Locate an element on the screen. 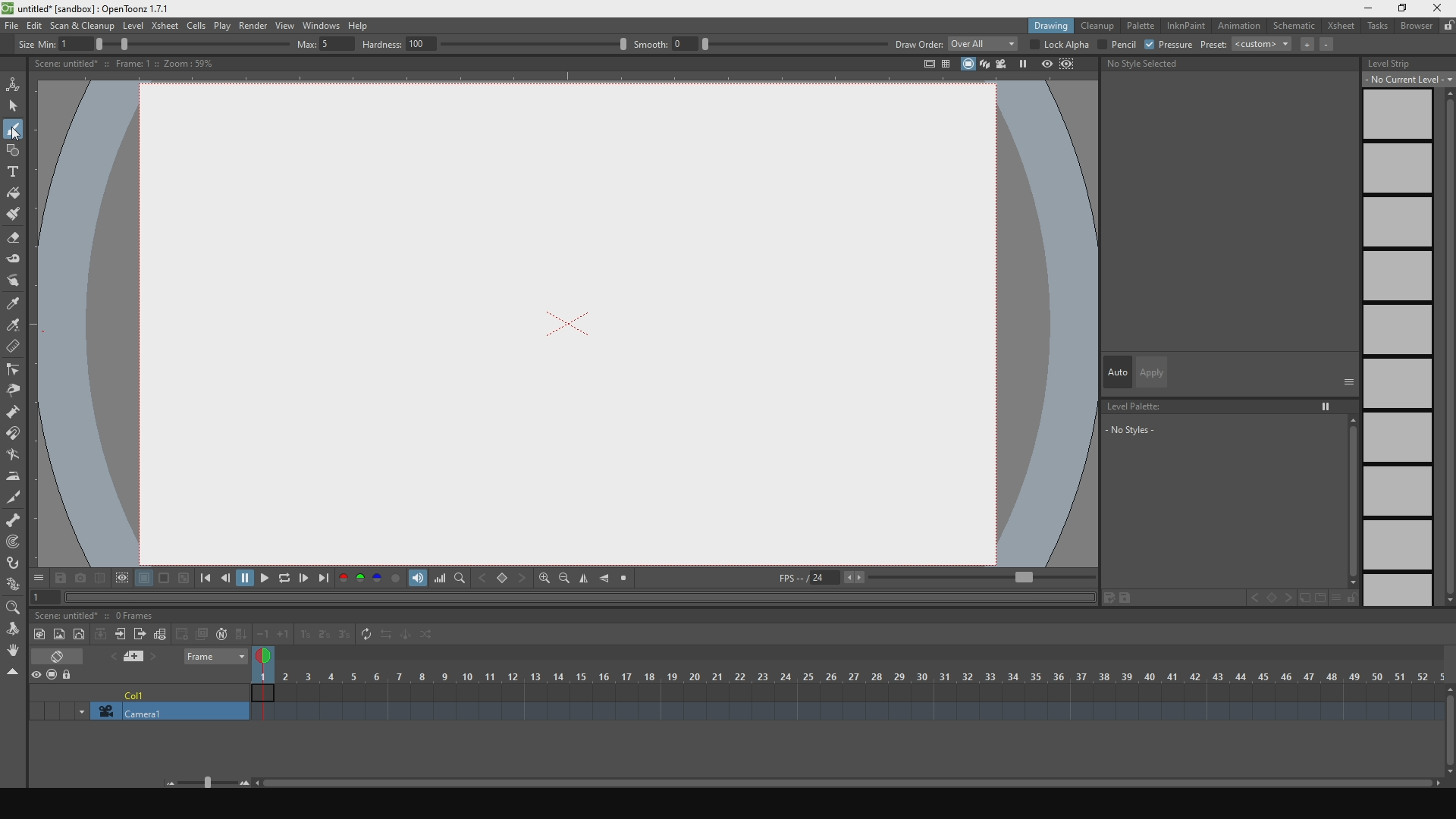  brush is located at coordinates (14, 215).